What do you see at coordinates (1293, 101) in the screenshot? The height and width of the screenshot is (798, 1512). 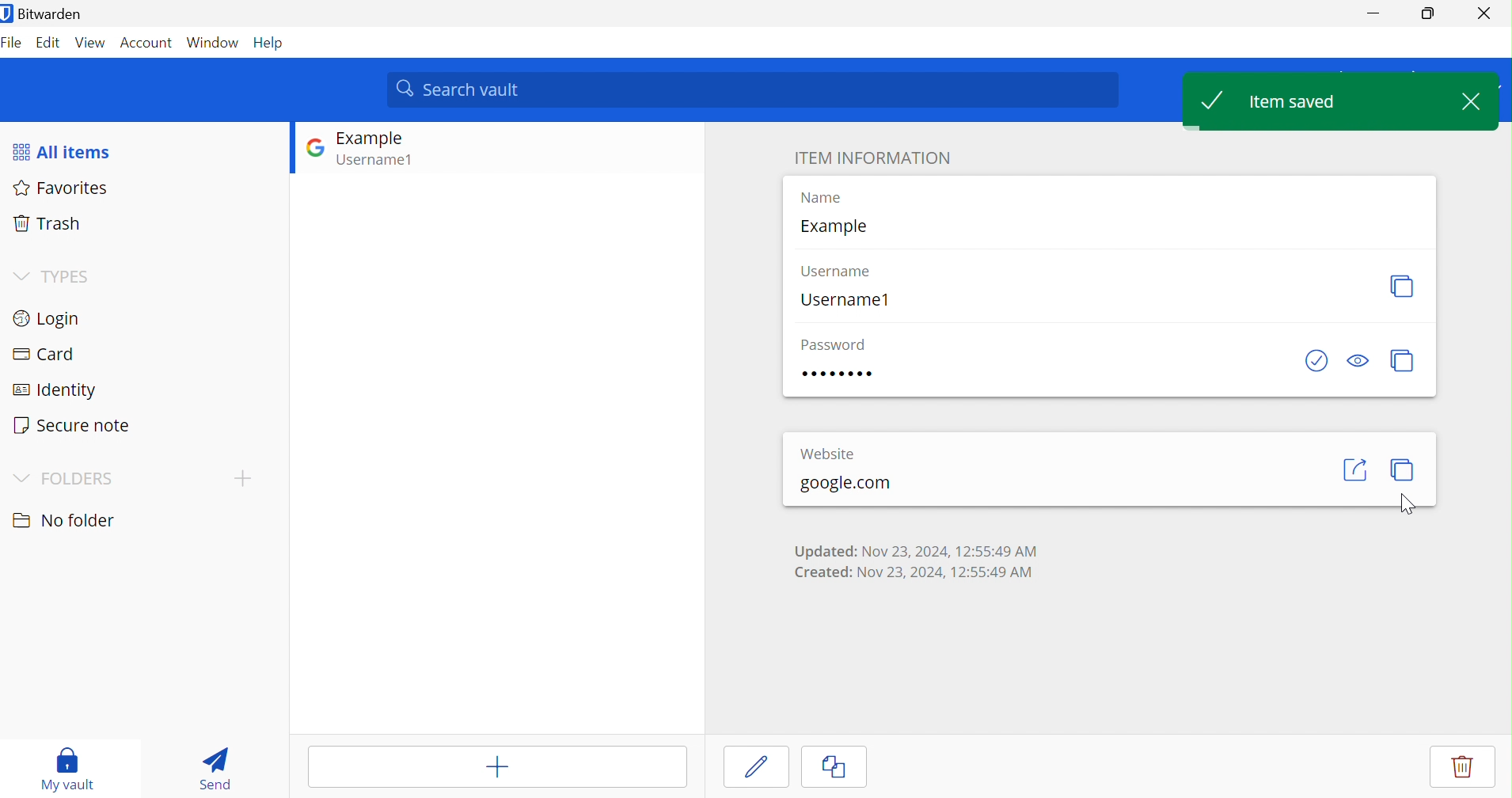 I see `Item saved` at bounding box center [1293, 101].